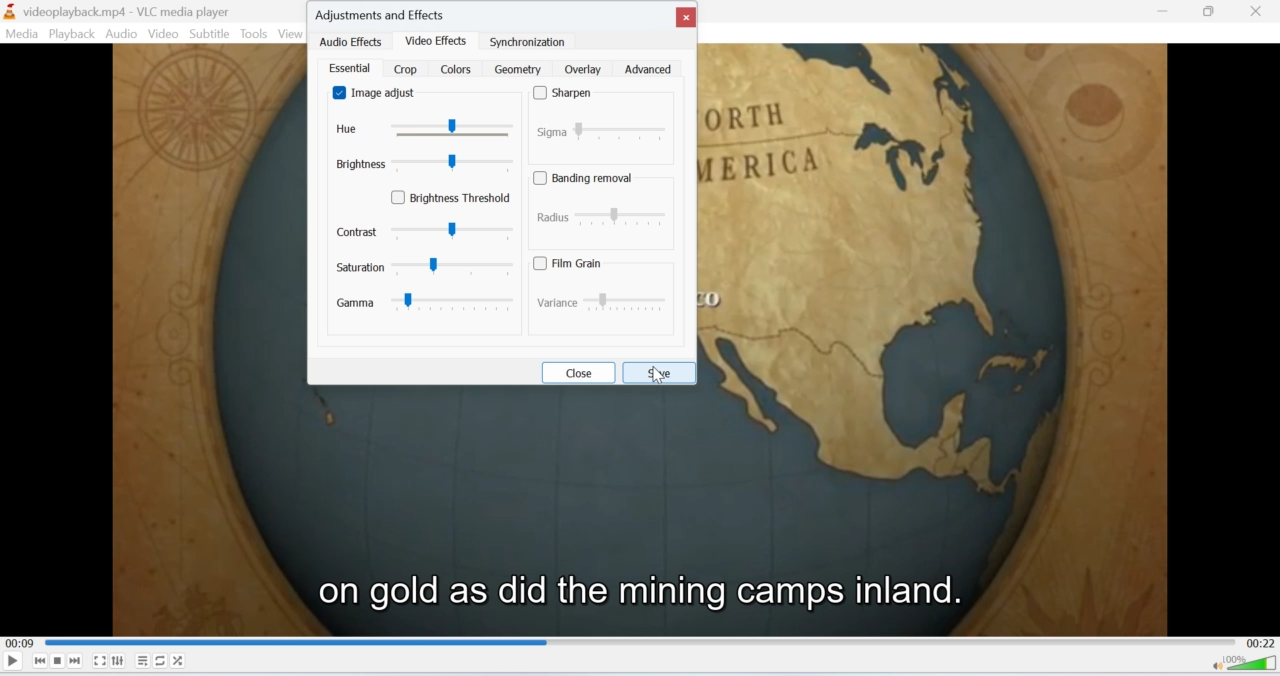  Describe the element at coordinates (76, 660) in the screenshot. I see `Seek forward` at that location.